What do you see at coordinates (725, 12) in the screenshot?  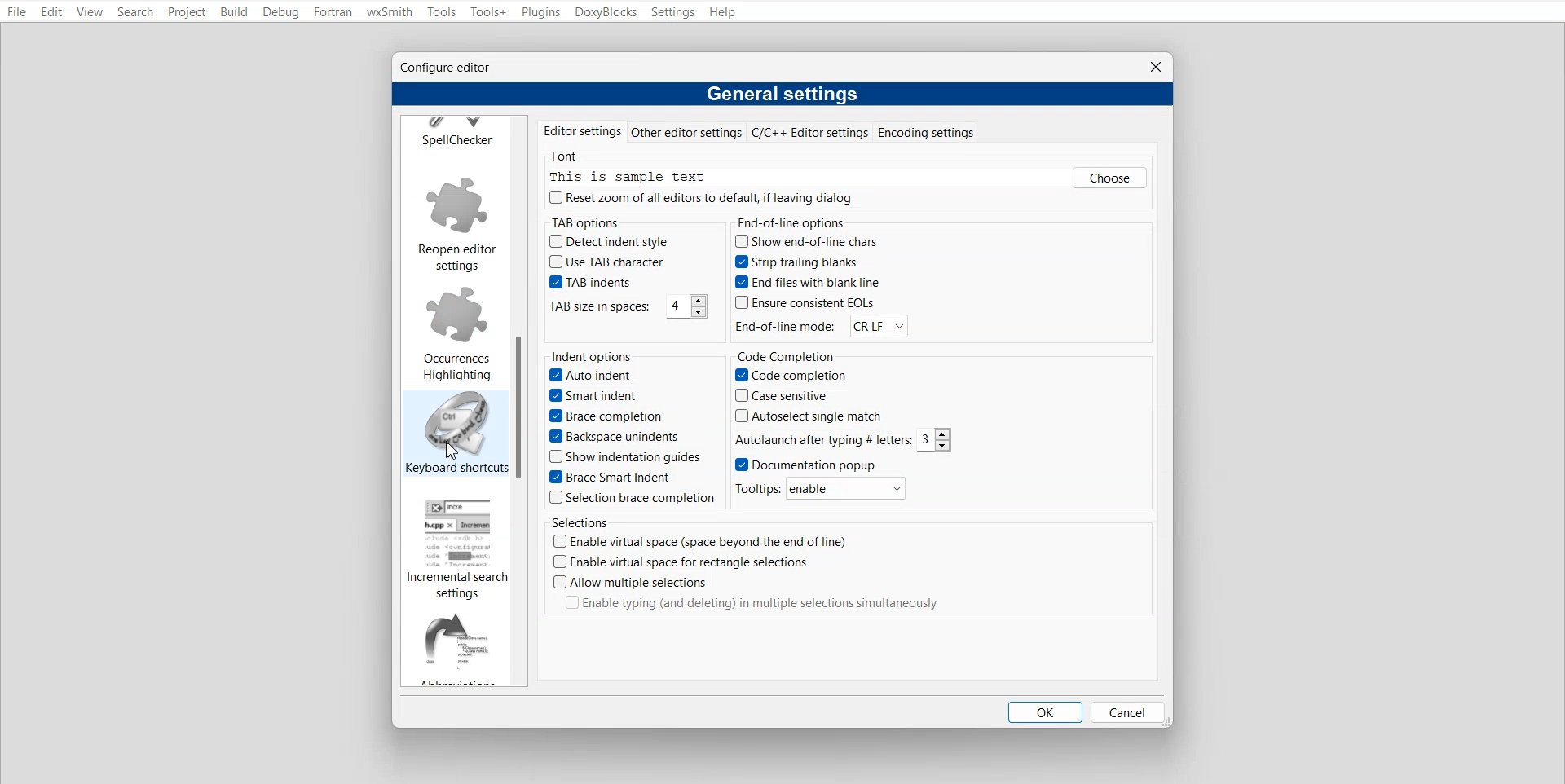 I see `Help` at bounding box center [725, 12].